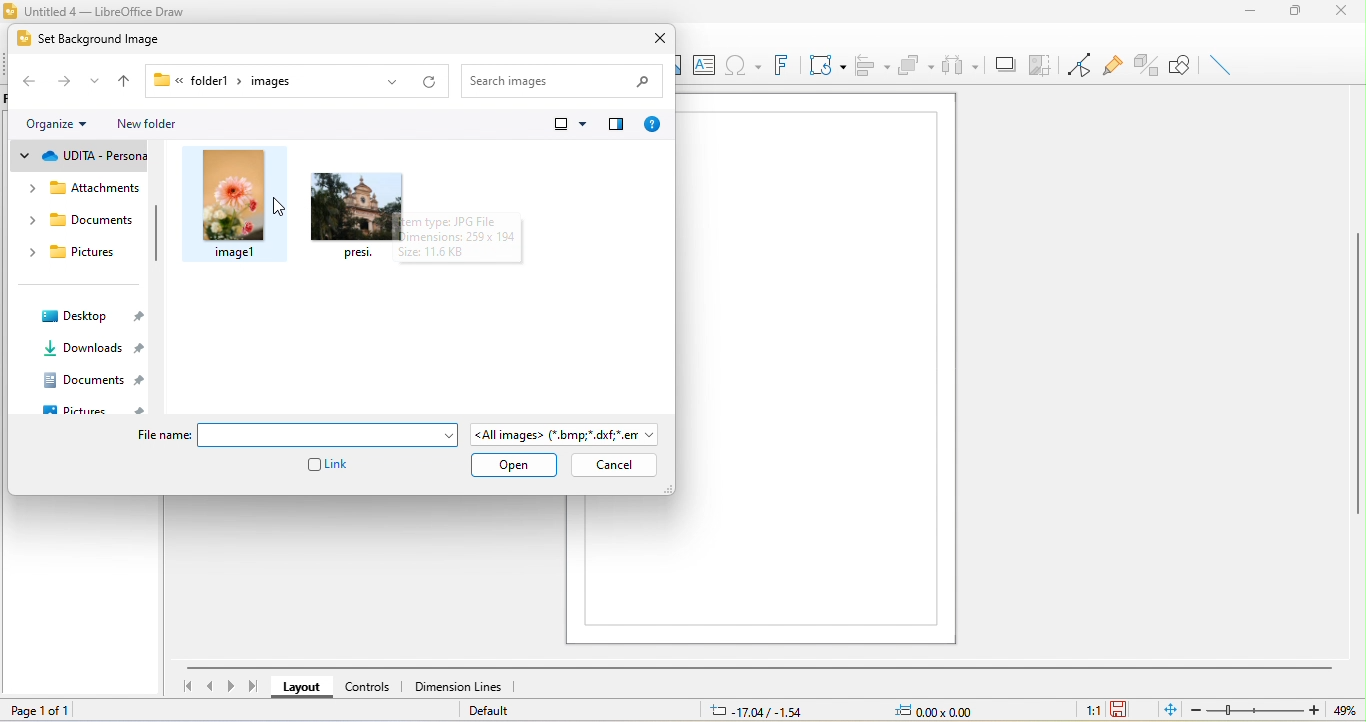  What do you see at coordinates (333, 436) in the screenshot?
I see `file name` at bounding box center [333, 436].